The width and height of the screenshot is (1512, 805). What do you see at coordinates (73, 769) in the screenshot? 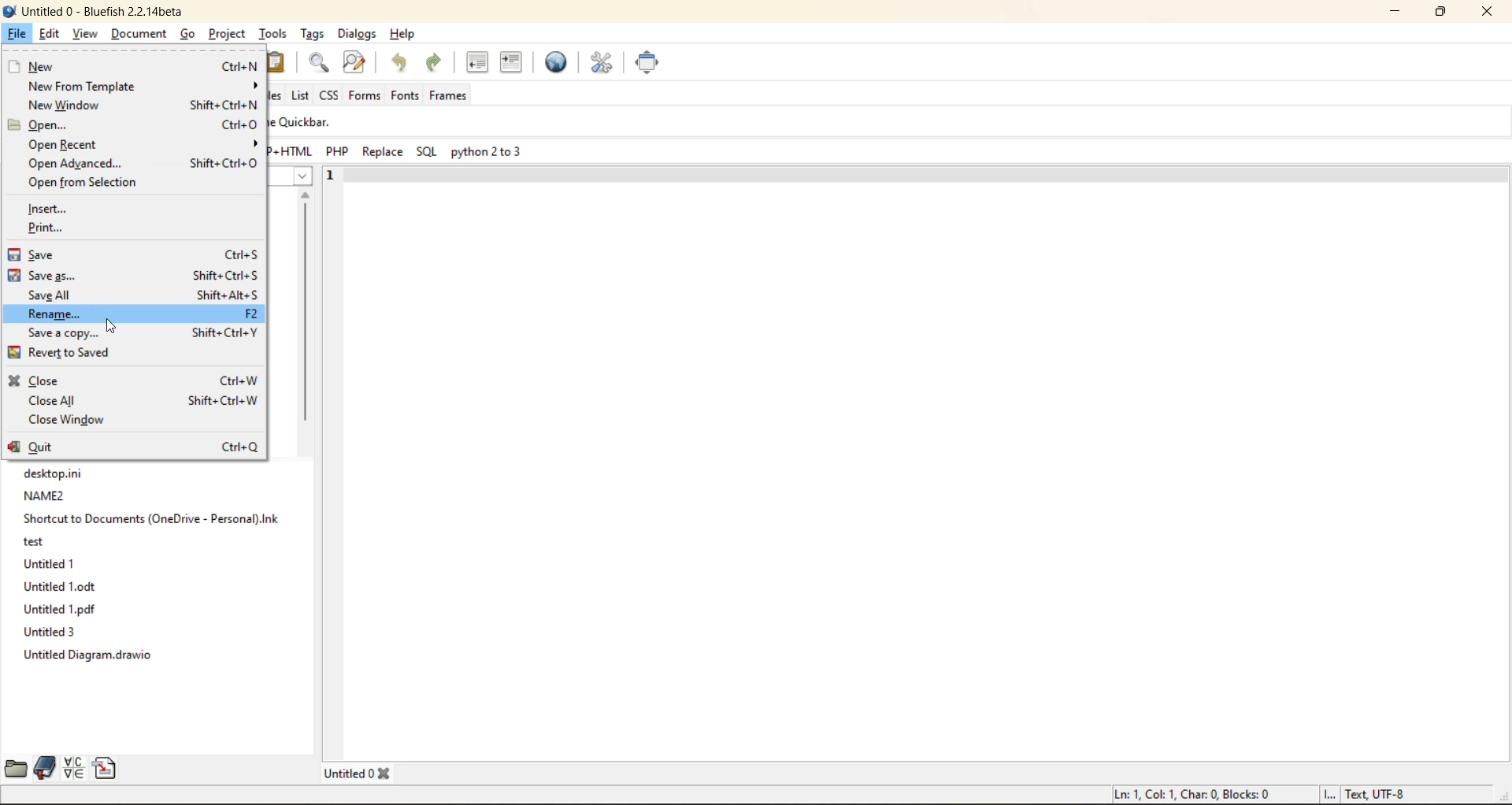
I see `charmap` at bounding box center [73, 769].